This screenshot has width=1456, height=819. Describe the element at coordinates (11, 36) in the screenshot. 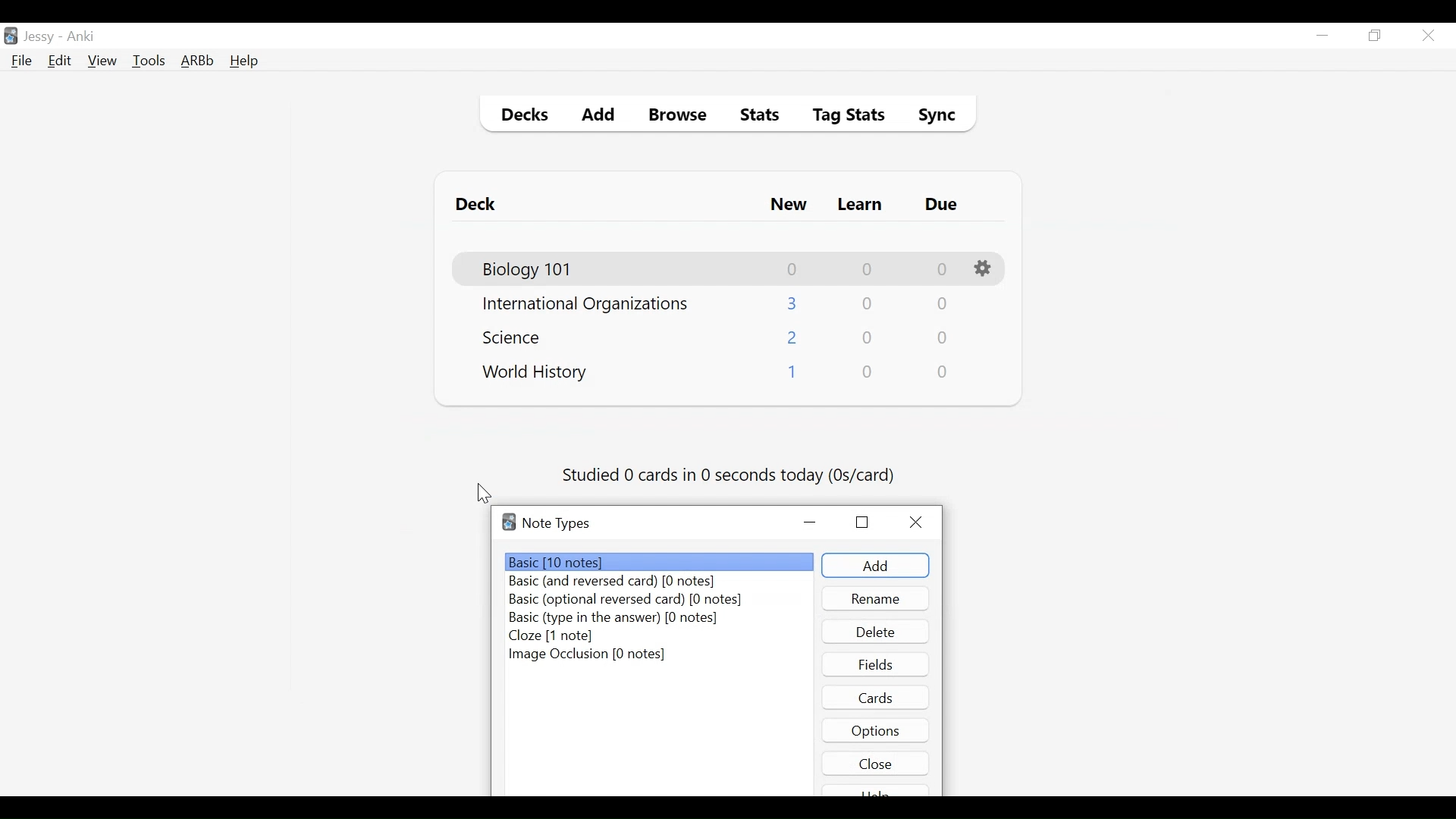

I see `Anki Desktop icon` at that location.